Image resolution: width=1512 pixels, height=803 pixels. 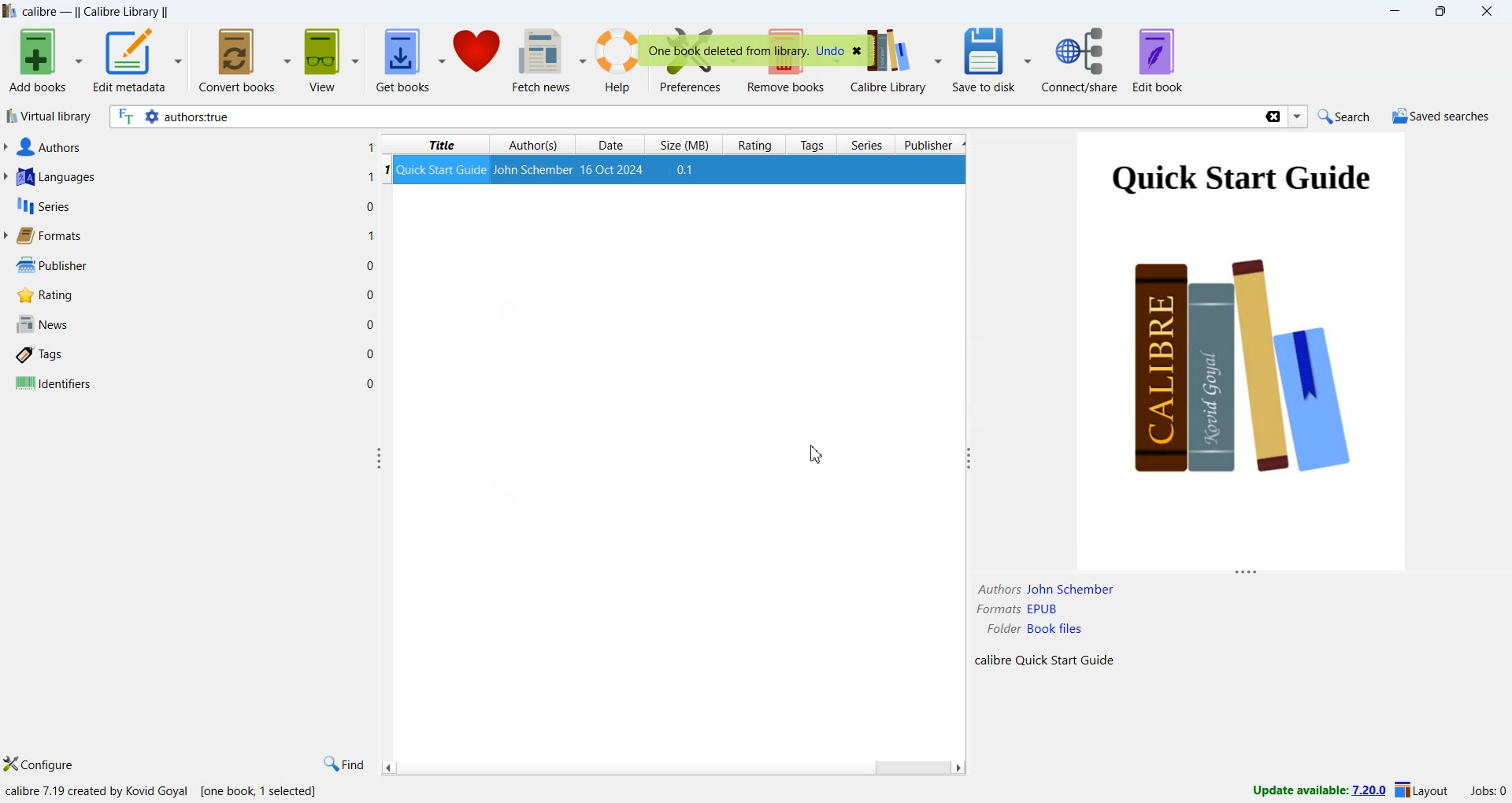 I want to click on maximize, so click(x=1443, y=13).